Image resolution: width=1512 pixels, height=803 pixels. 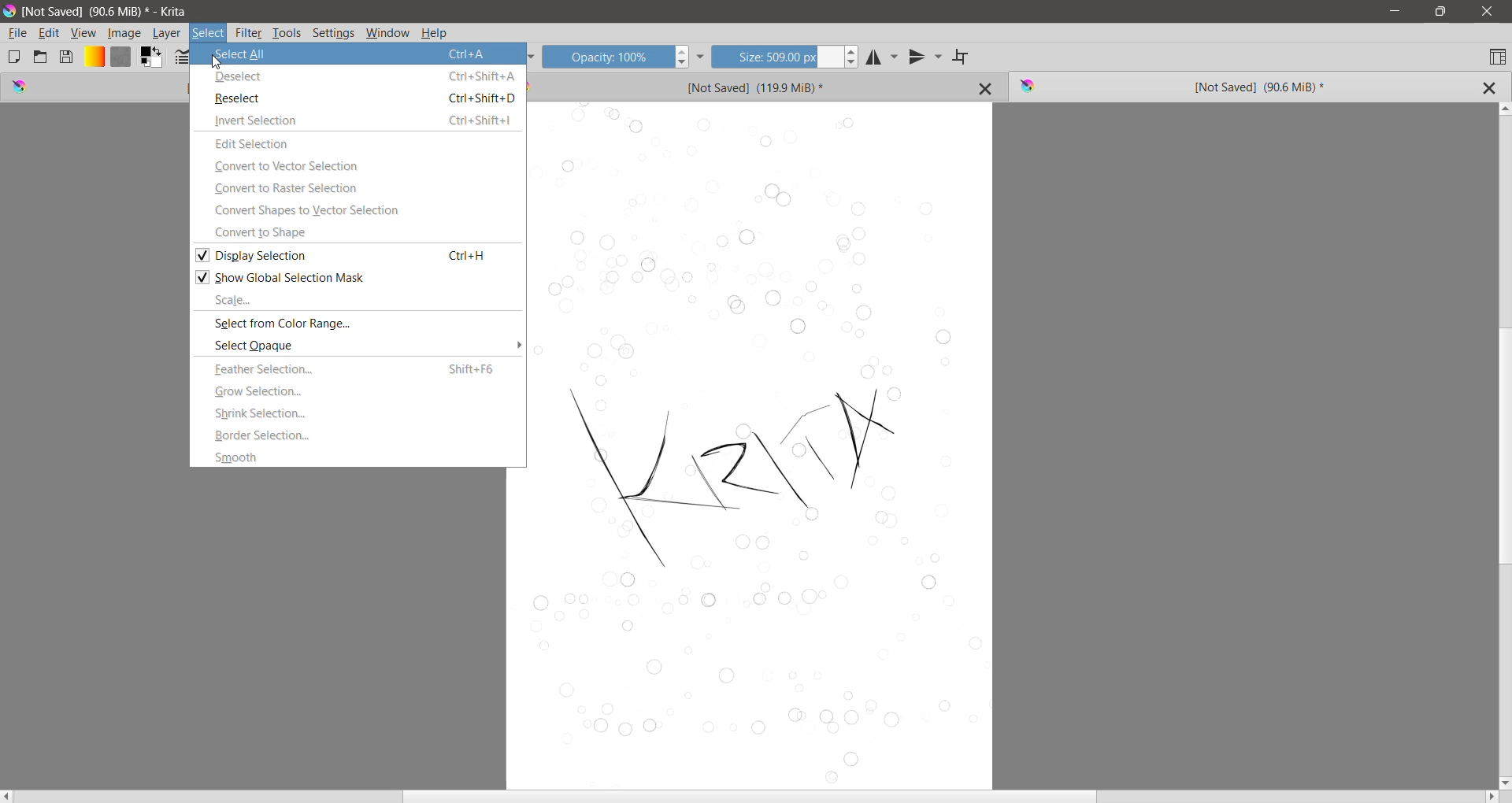 What do you see at coordinates (358, 232) in the screenshot?
I see `Convert to Shape` at bounding box center [358, 232].